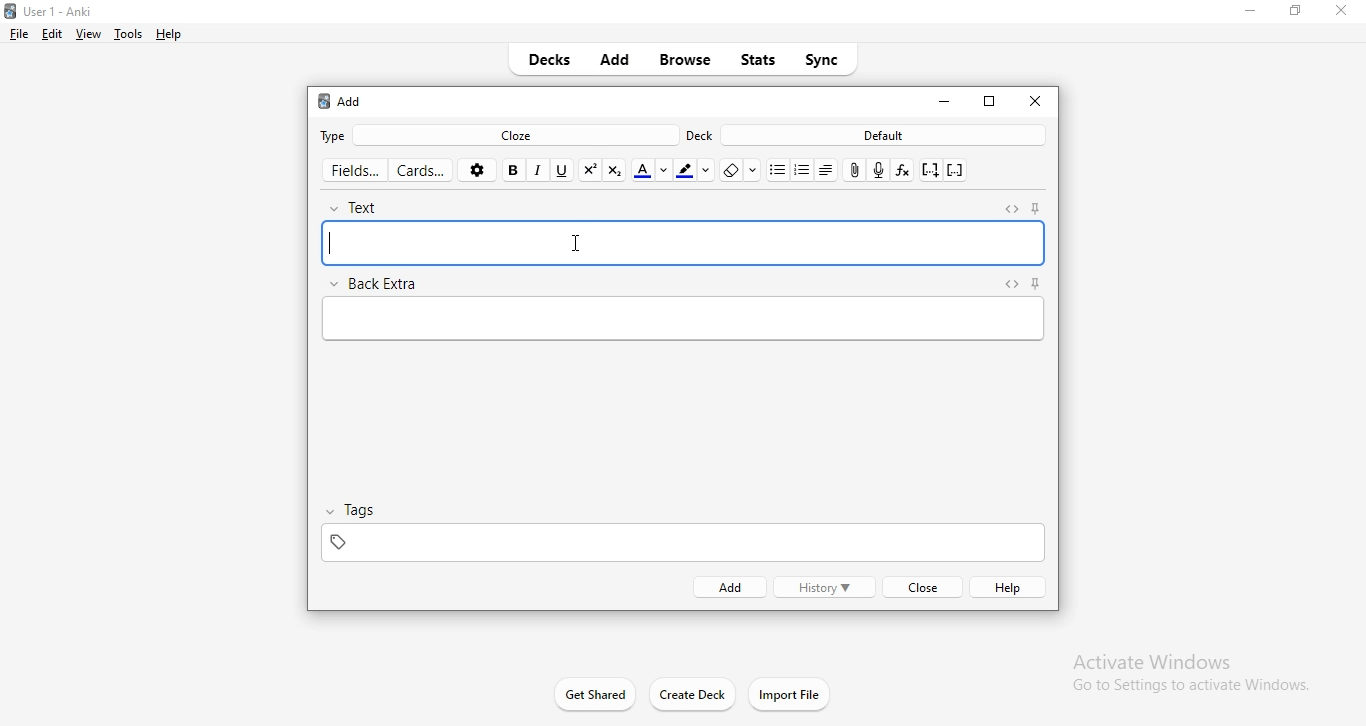  I want to click on italics, so click(540, 170).